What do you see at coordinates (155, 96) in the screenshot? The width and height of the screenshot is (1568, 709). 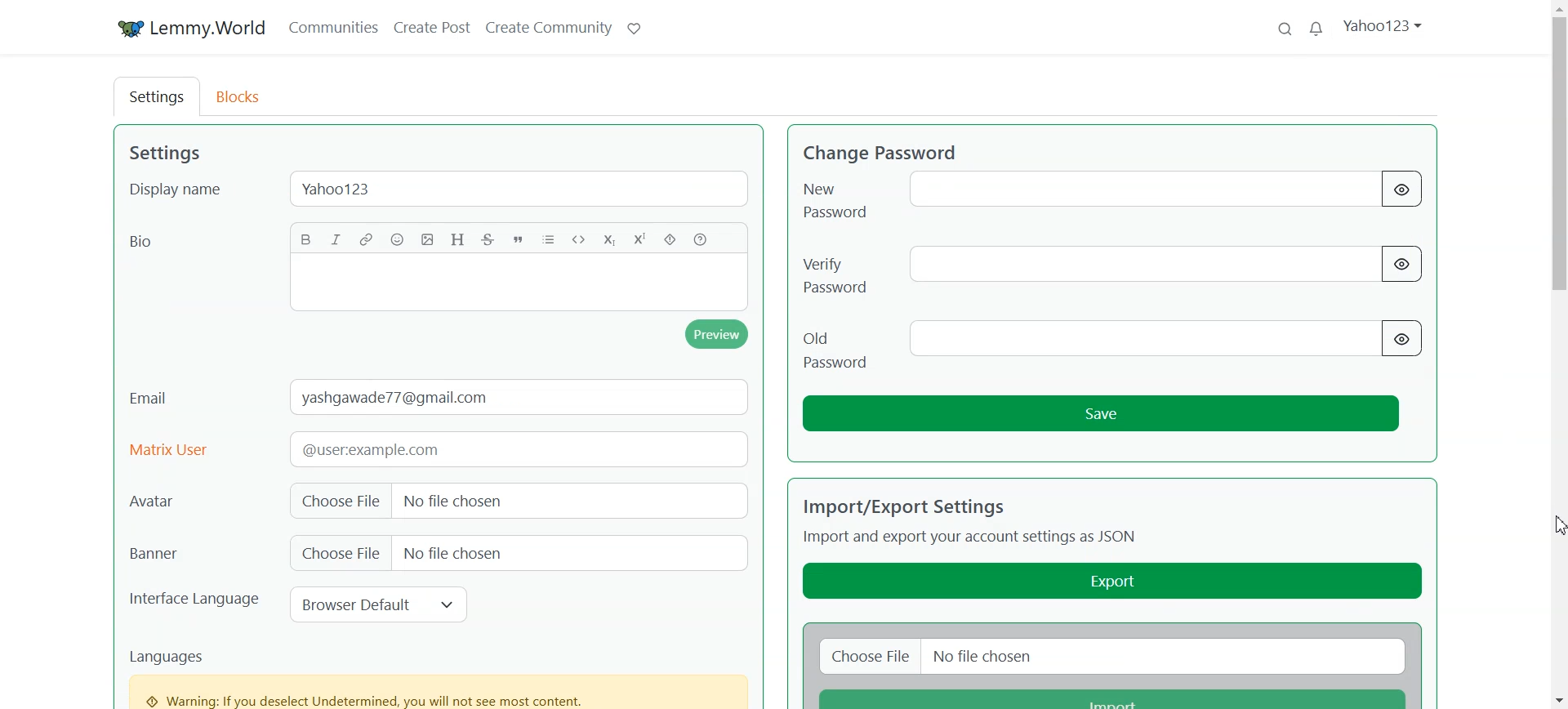 I see `Settings` at bounding box center [155, 96].